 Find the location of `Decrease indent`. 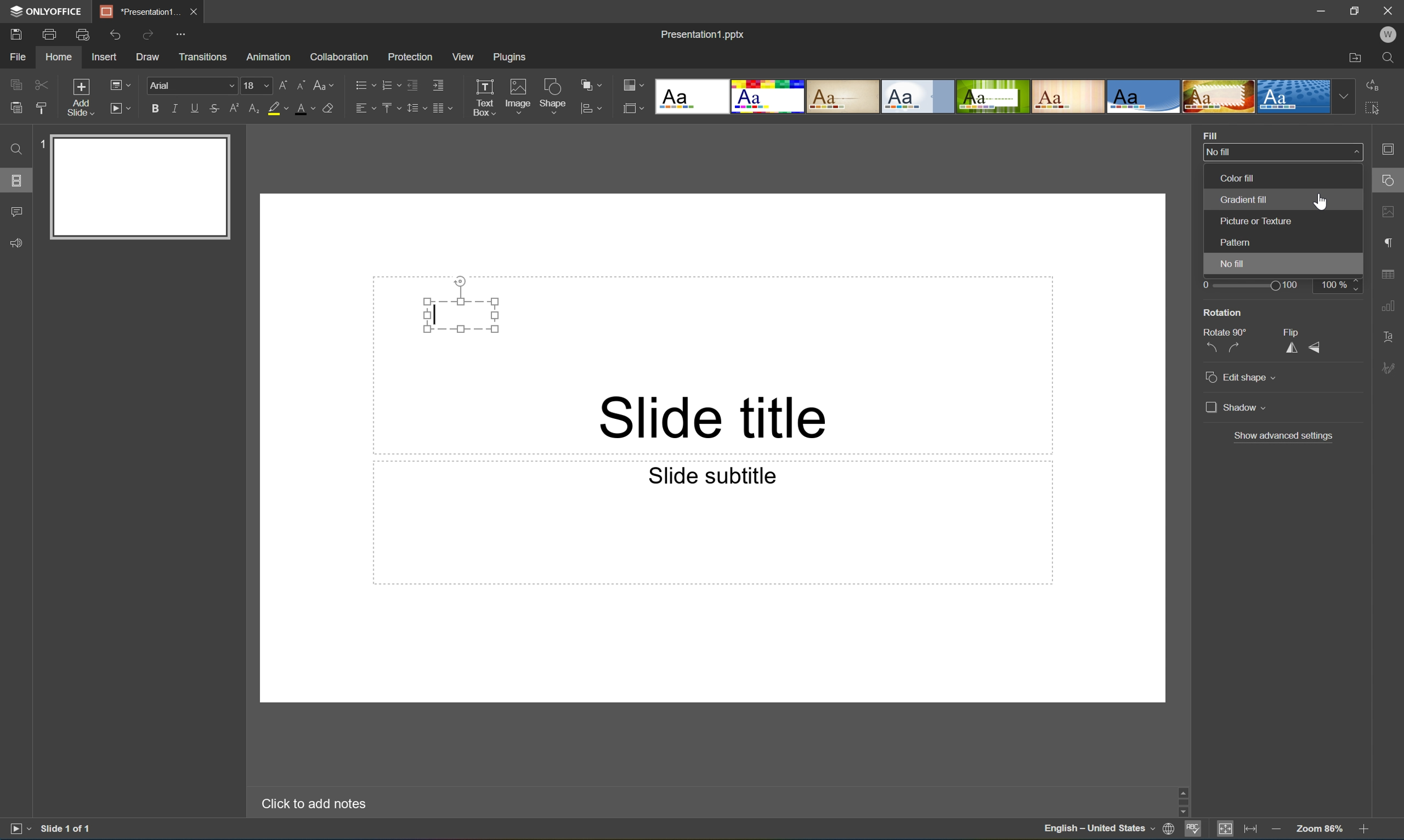

Decrease indent is located at coordinates (412, 84).